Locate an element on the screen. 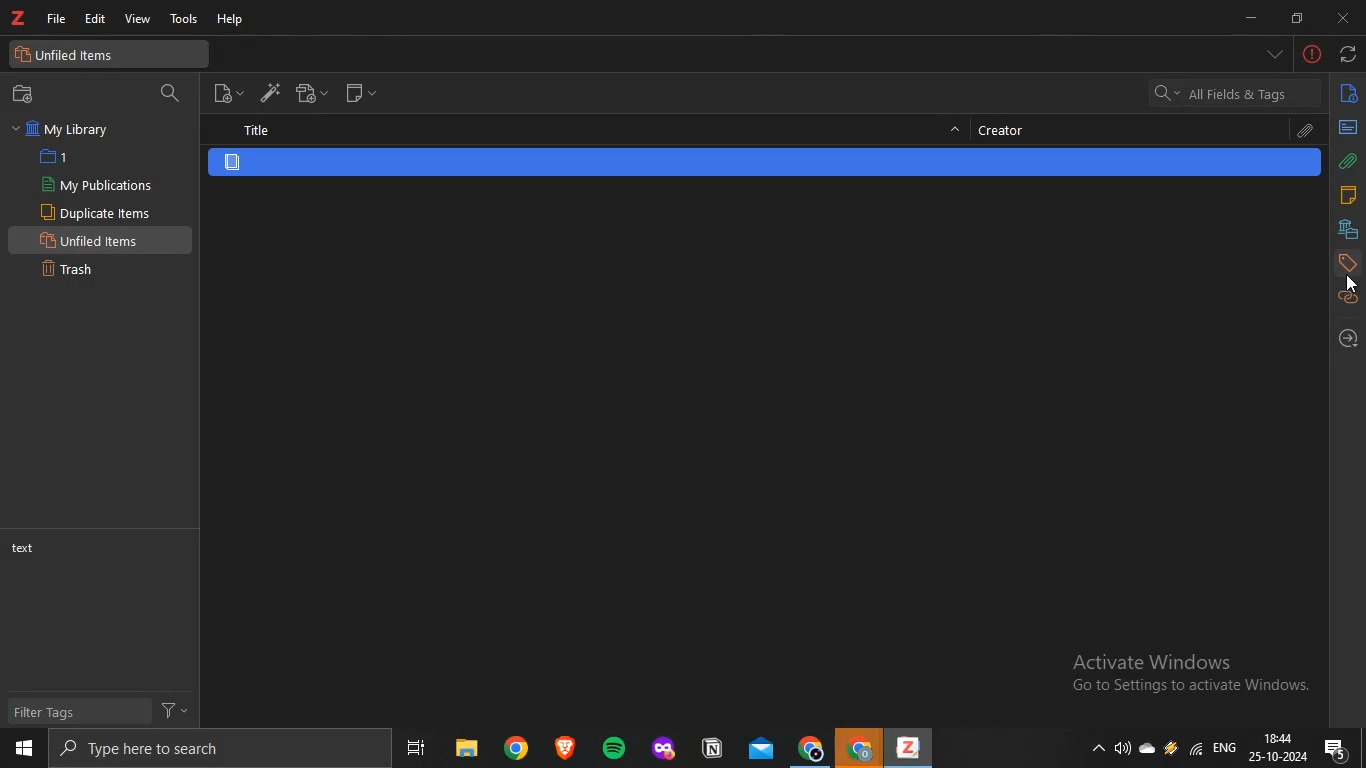  chrome is located at coordinates (854, 746).